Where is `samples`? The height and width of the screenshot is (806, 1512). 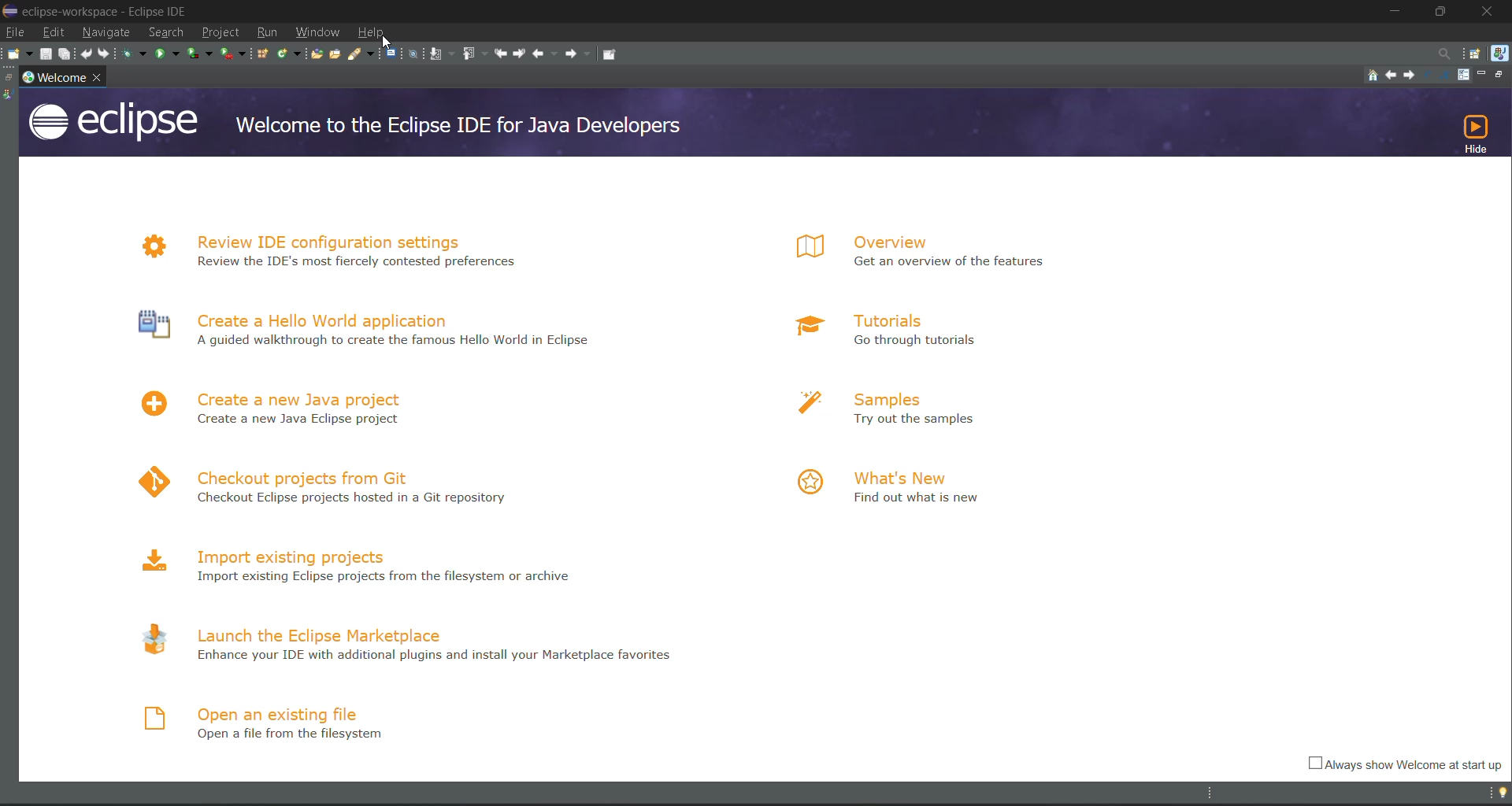
samples is located at coordinates (884, 397).